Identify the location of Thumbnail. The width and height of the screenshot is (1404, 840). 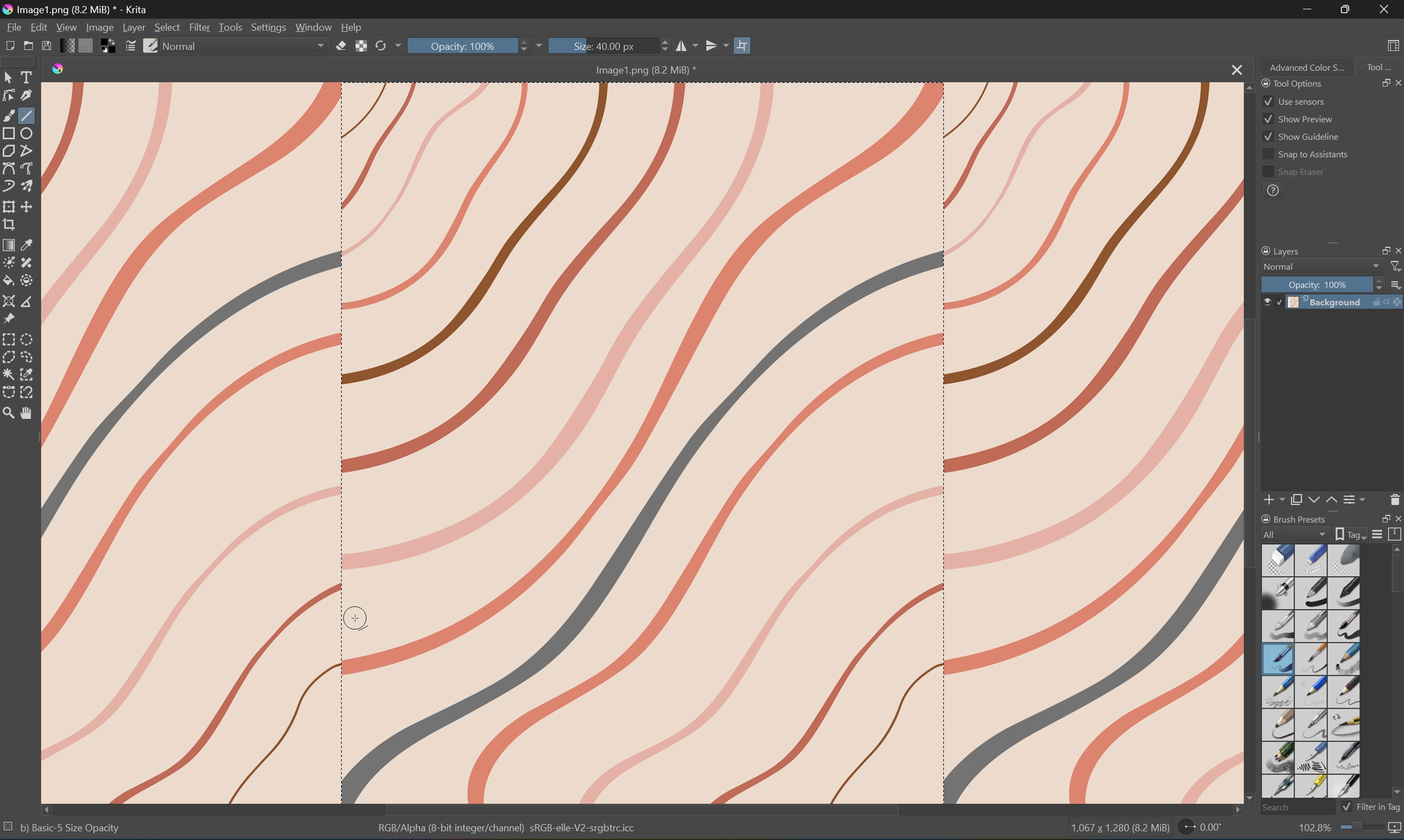
(1395, 284).